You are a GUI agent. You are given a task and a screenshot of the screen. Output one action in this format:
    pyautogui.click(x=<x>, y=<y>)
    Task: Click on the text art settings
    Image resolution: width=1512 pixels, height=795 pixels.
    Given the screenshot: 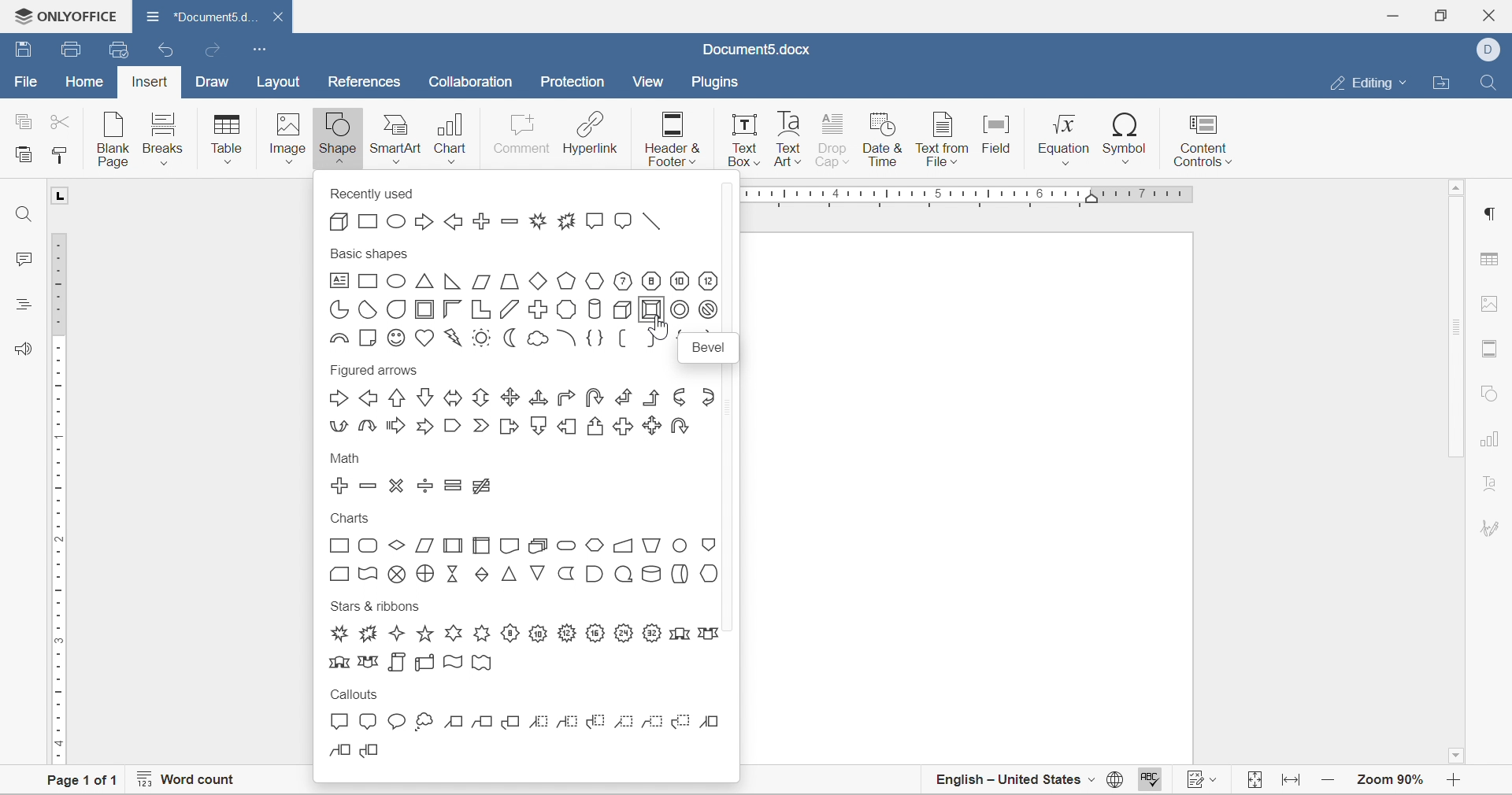 What is the action you would take?
    pyautogui.click(x=1494, y=483)
    